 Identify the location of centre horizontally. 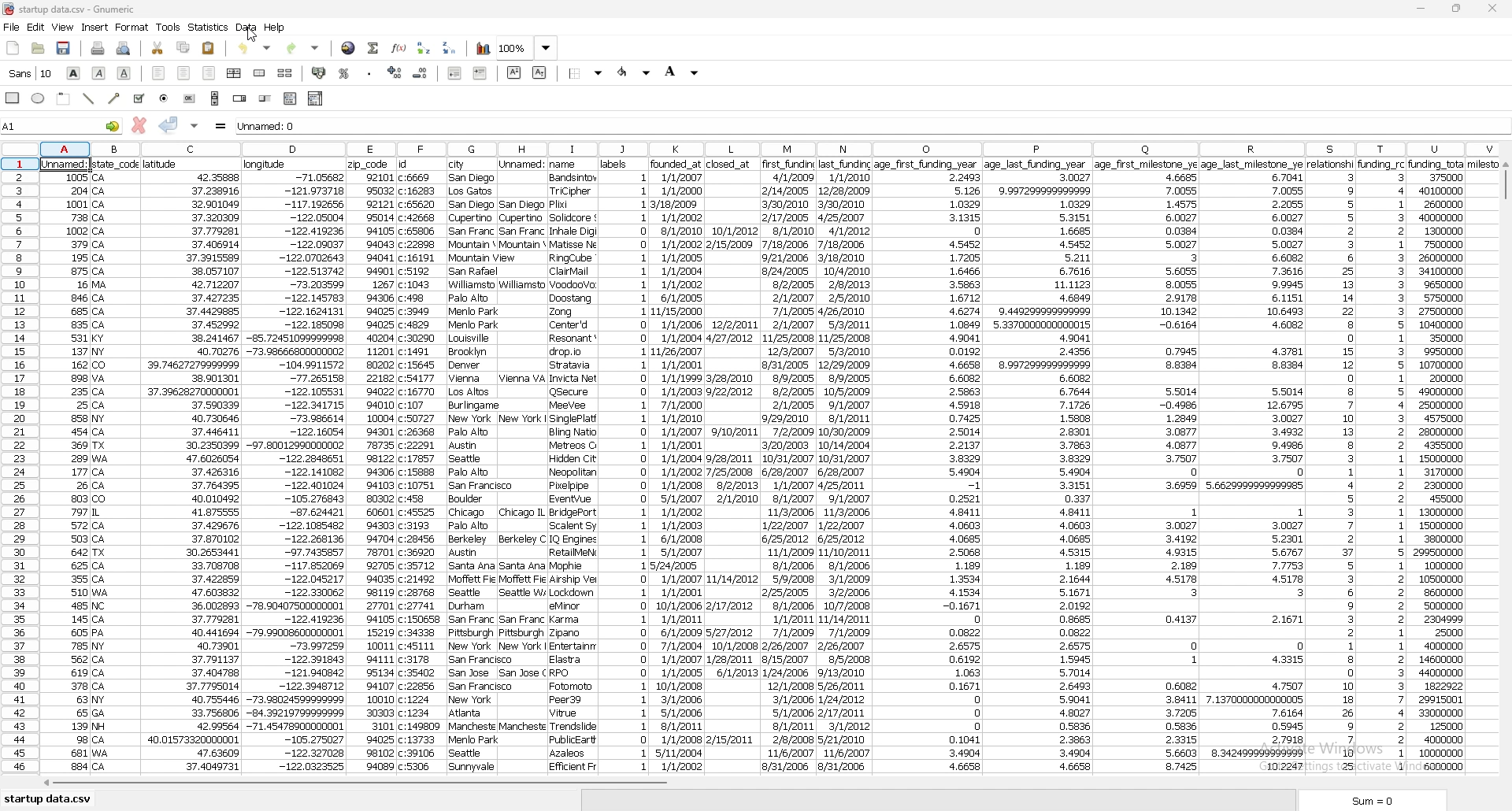
(234, 73).